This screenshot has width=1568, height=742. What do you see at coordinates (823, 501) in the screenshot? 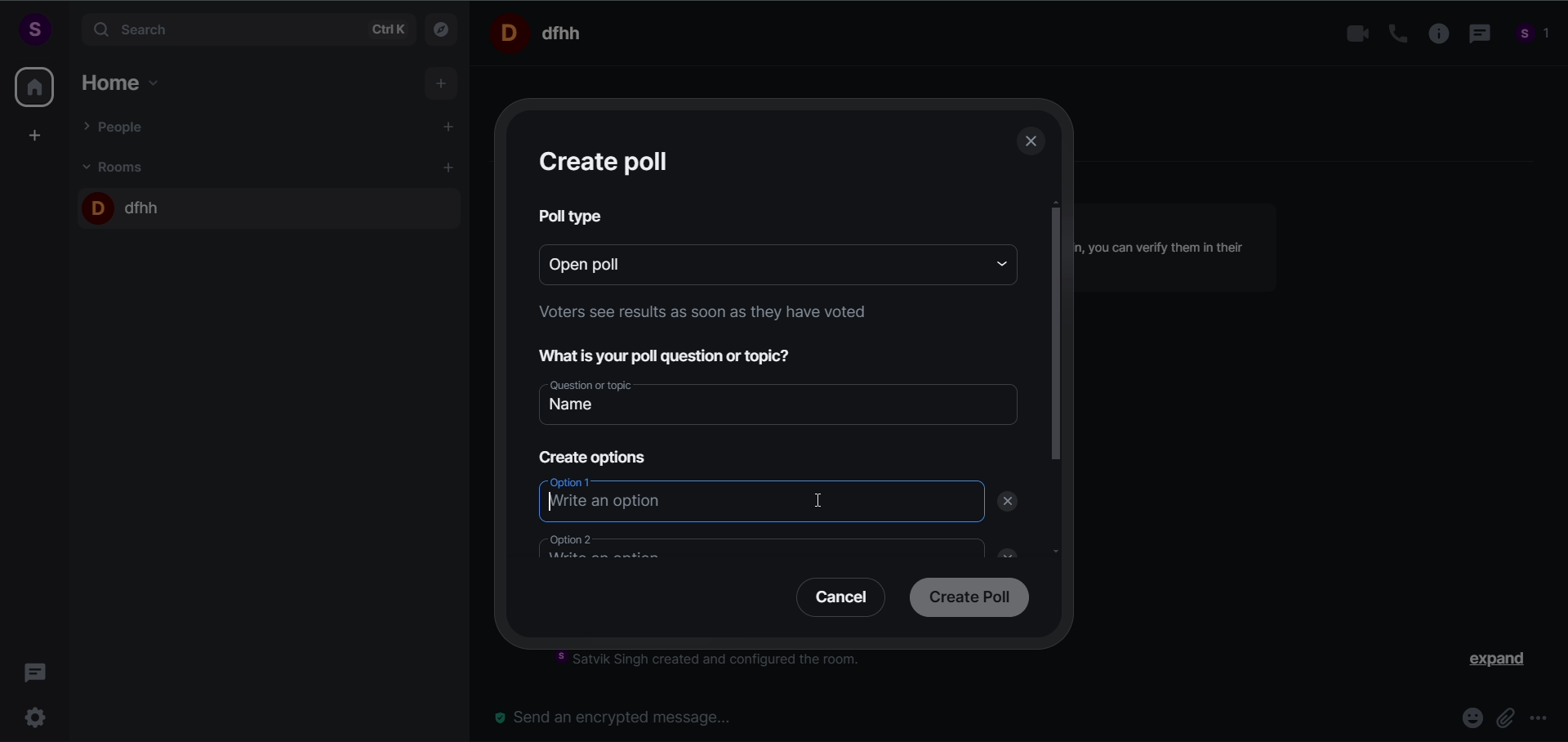
I see `Cursor` at bounding box center [823, 501].